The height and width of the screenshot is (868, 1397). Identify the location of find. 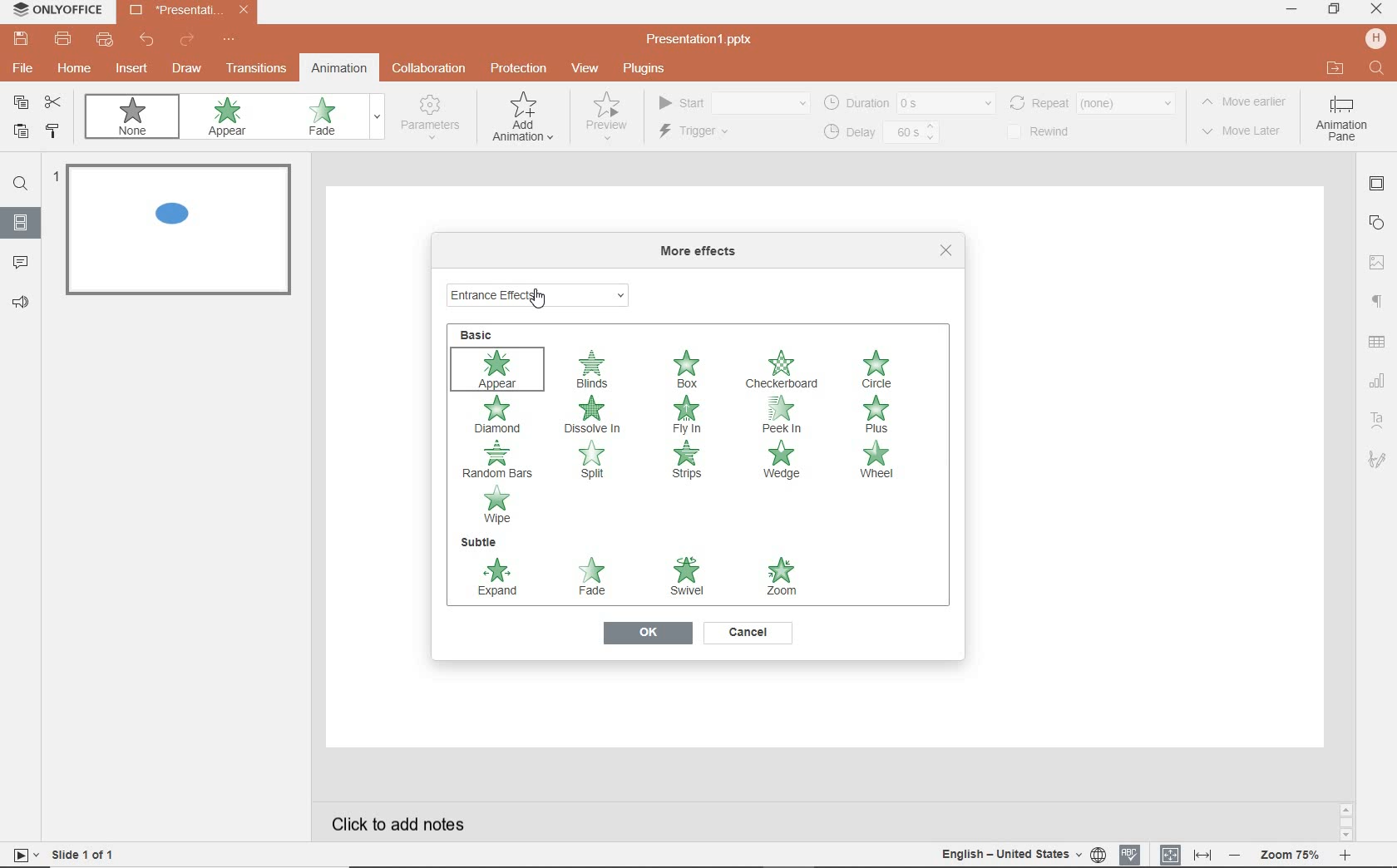
(21, 186).